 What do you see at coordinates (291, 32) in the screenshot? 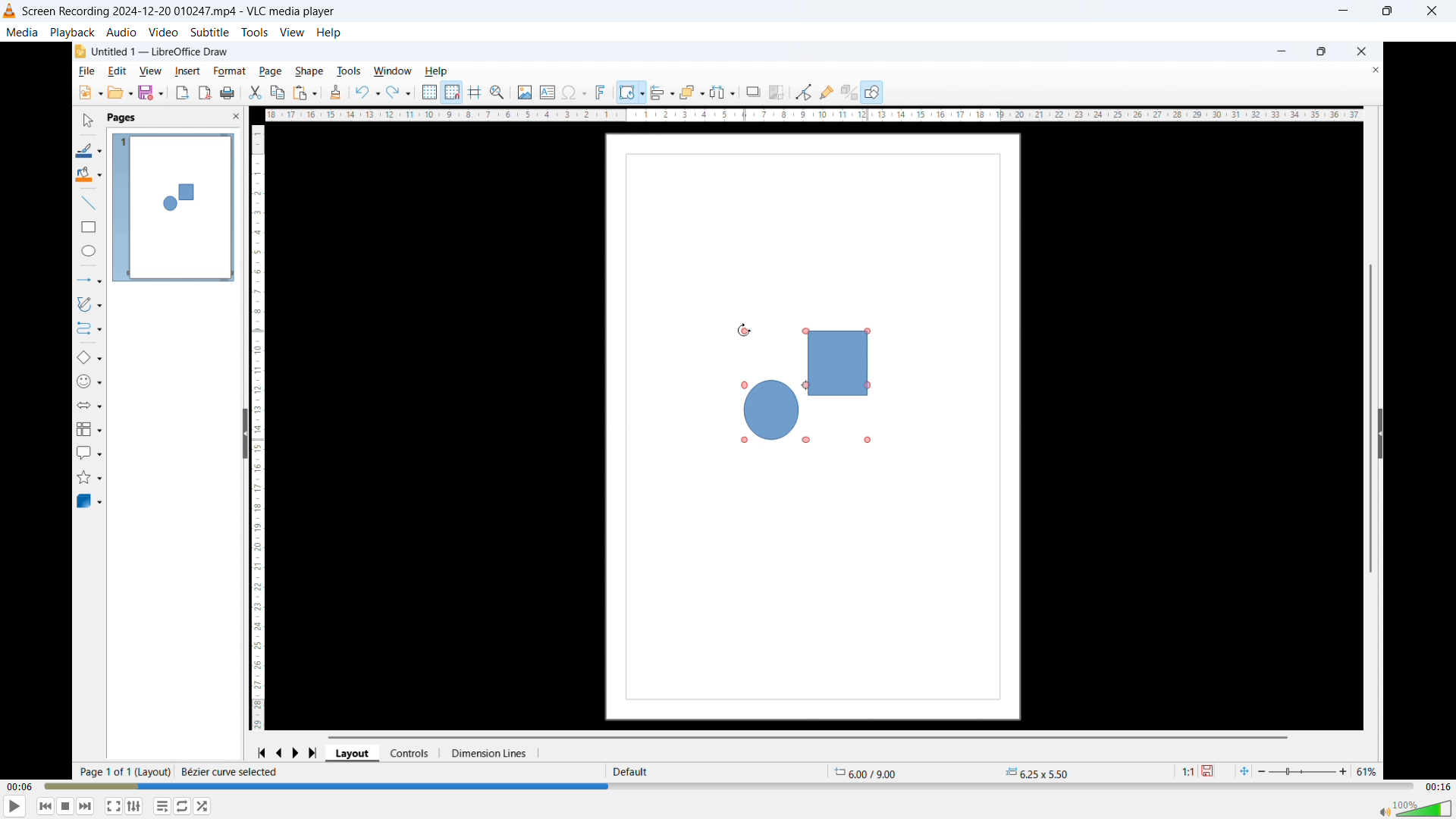
I see `view ` at bounding box center [291, 32].